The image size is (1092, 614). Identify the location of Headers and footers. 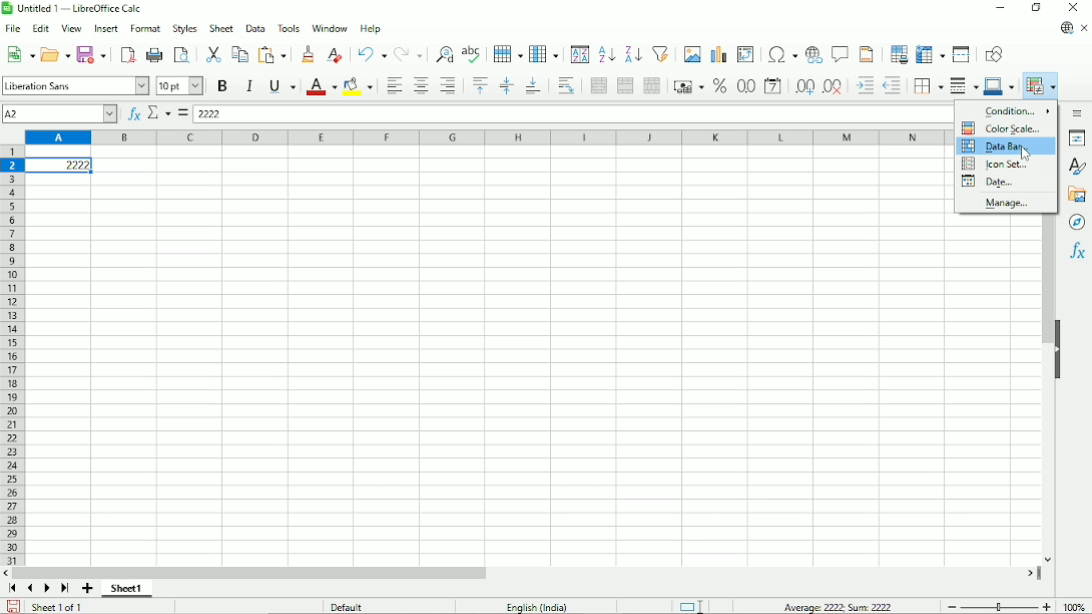
(865, 54).